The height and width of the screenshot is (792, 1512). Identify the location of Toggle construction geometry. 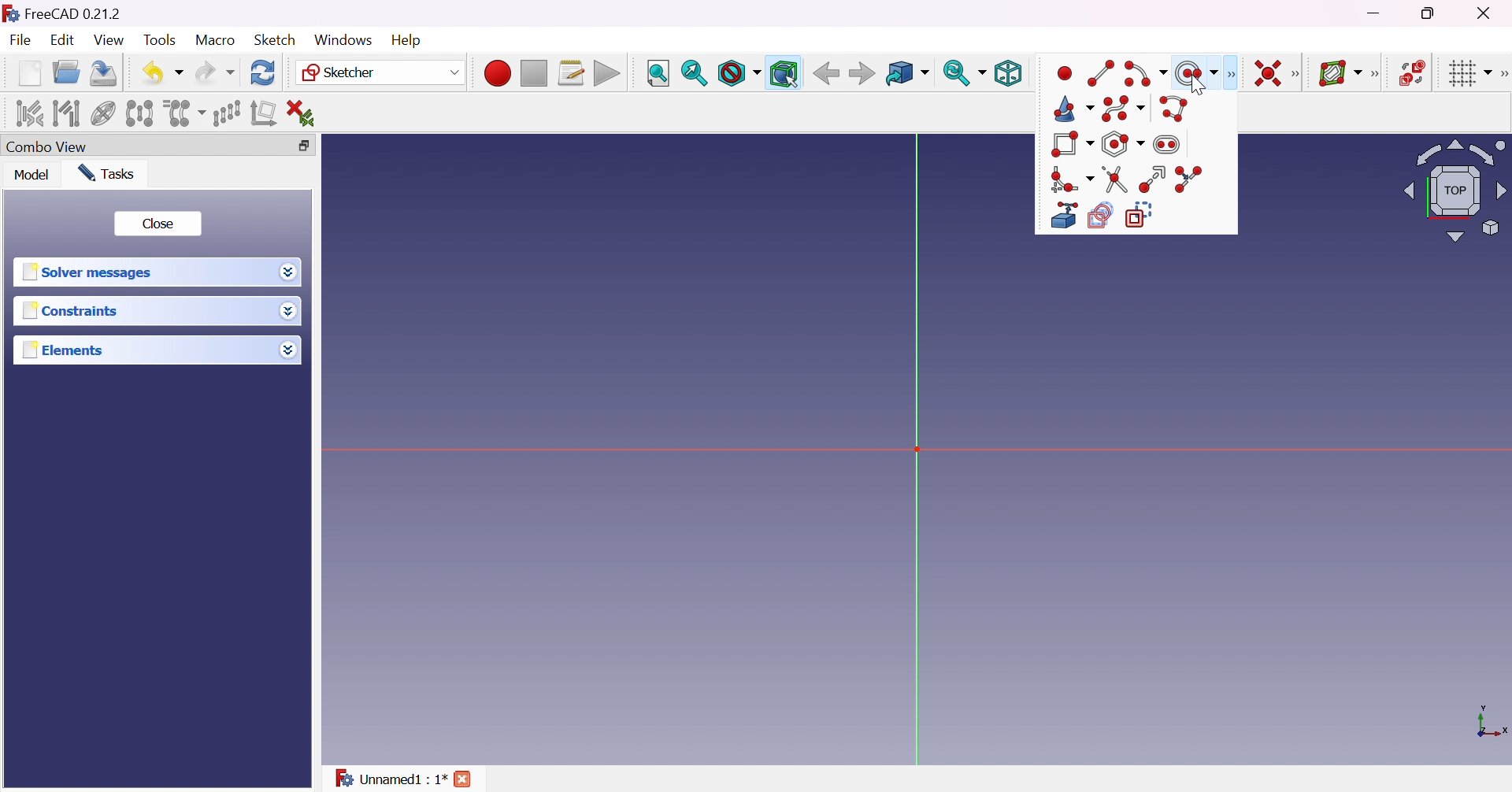
(1143, 214).